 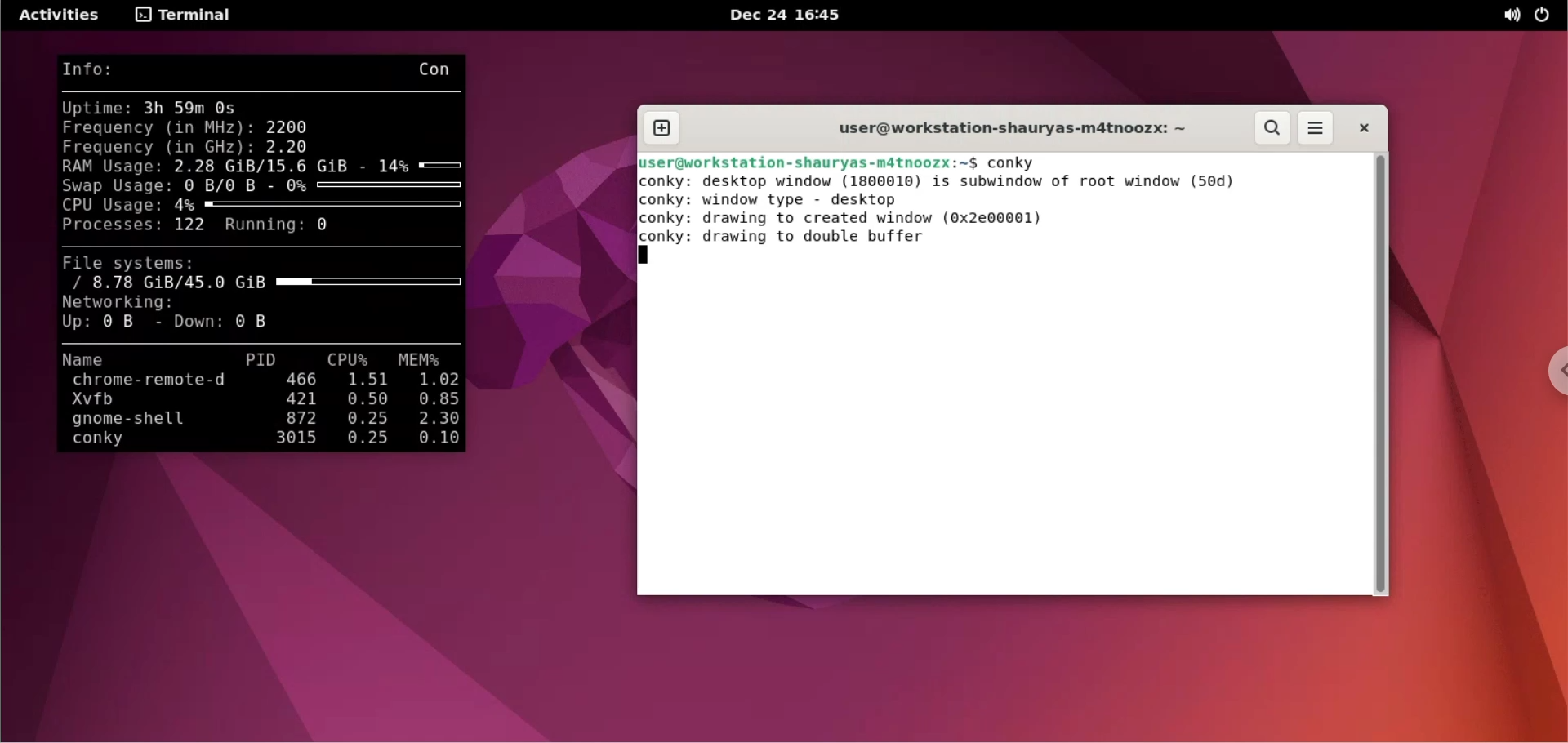 What do you see at coordinates (192, 229) in the screenshot?
I see `122` at bounding box center [192, 229].